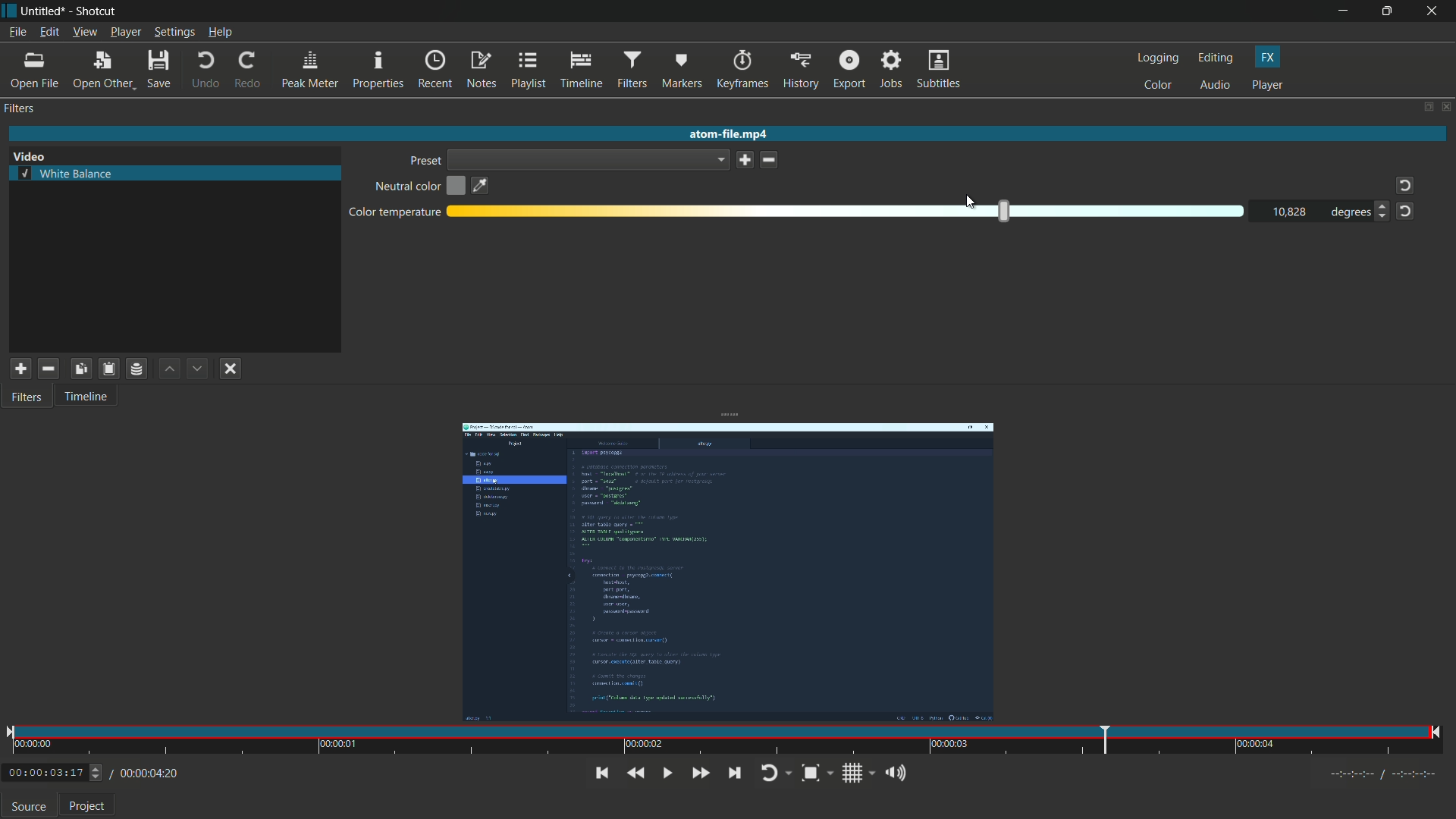  I want to click on source, so click(29, 808).